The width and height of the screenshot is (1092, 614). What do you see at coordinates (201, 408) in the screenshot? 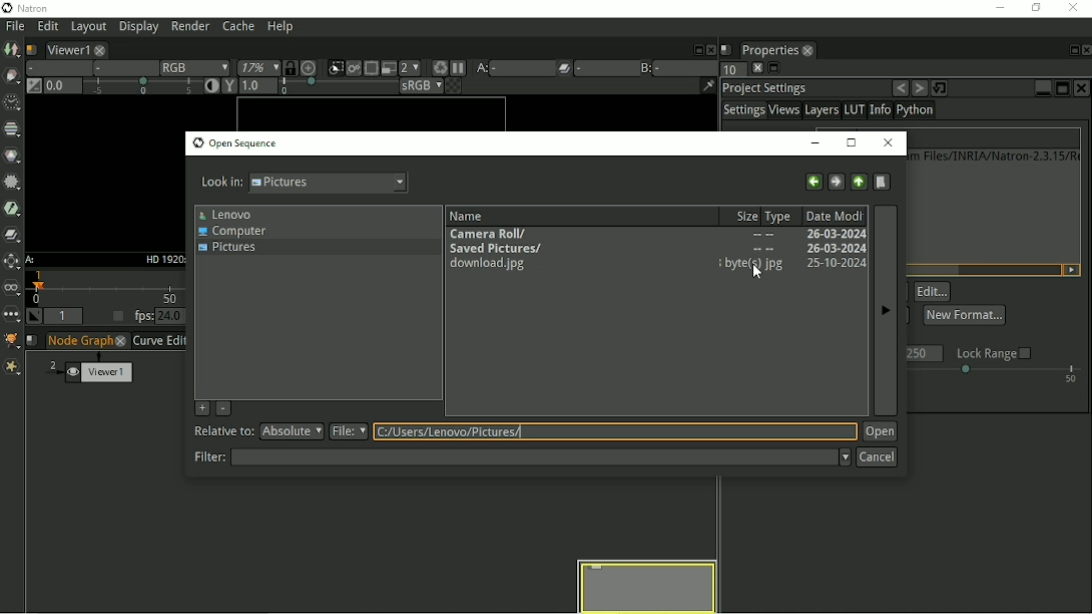
I see `Add to favorites` at bounding box center [201, 408].